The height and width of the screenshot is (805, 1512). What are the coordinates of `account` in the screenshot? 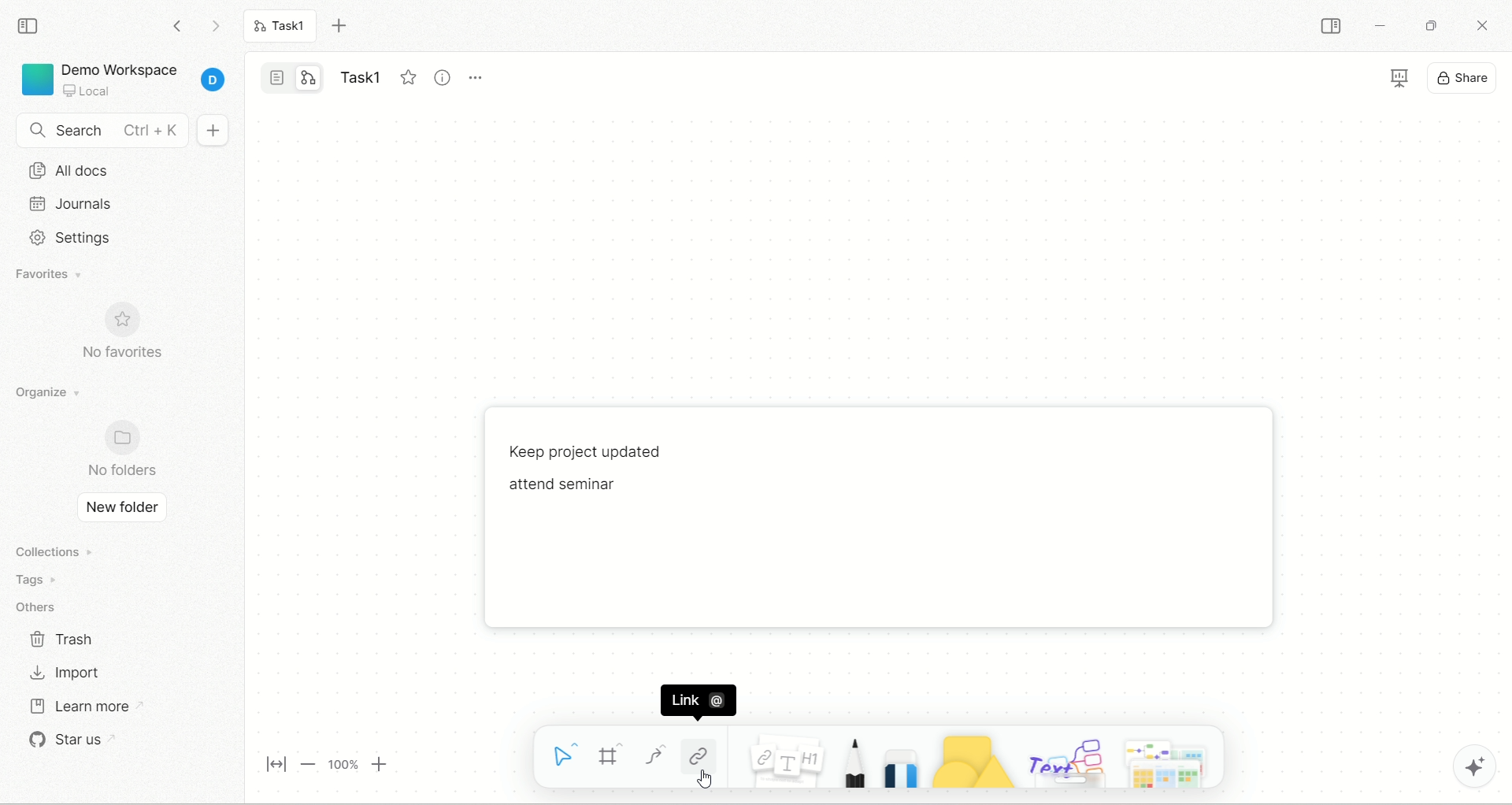 It's located at (213, 81).